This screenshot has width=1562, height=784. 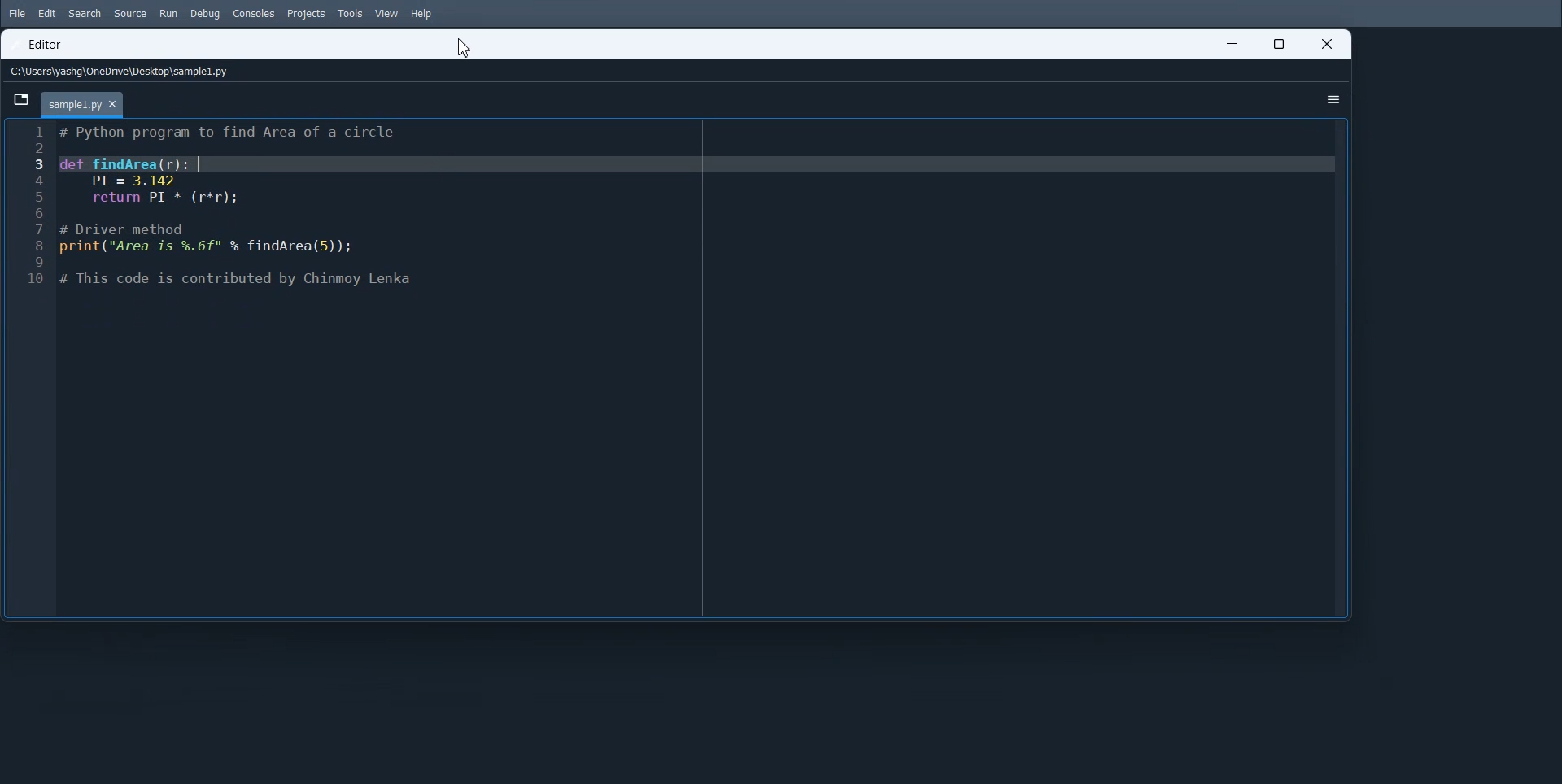 What do you see at coordinates (386, 13) in the screenshot?
I see `View` at bounding box center [386, 13].